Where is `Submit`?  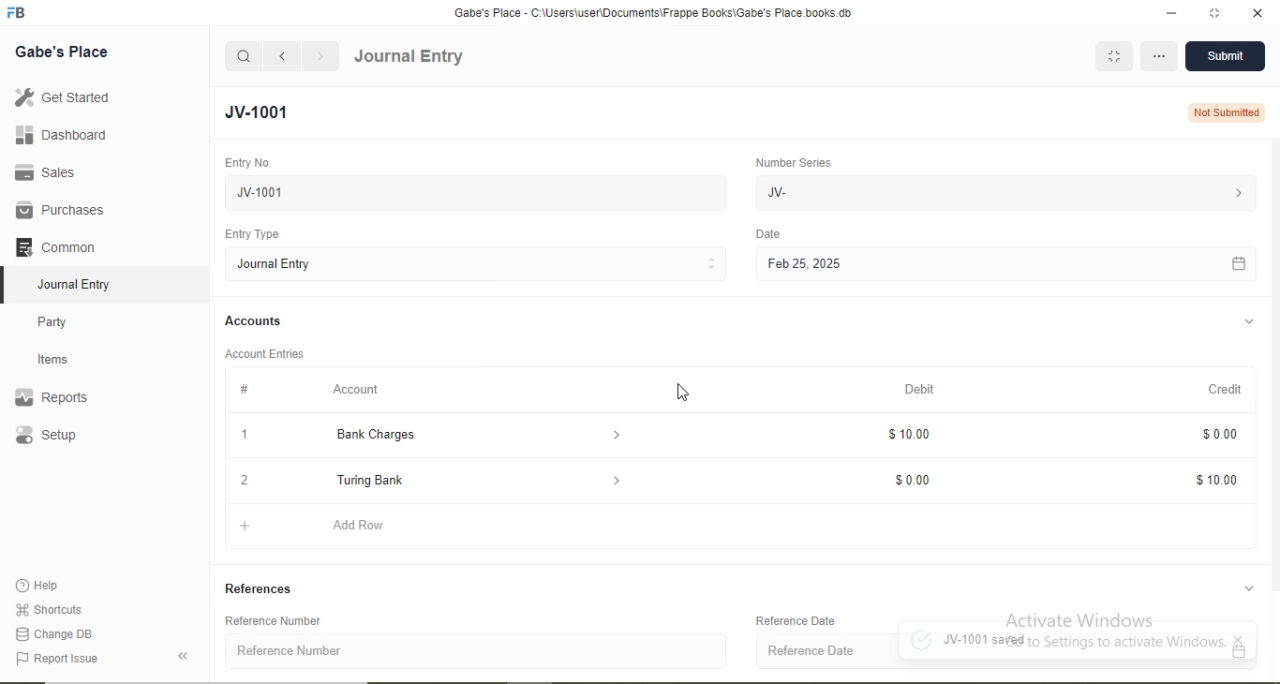 Submit is located at coordinates (1224, 57).